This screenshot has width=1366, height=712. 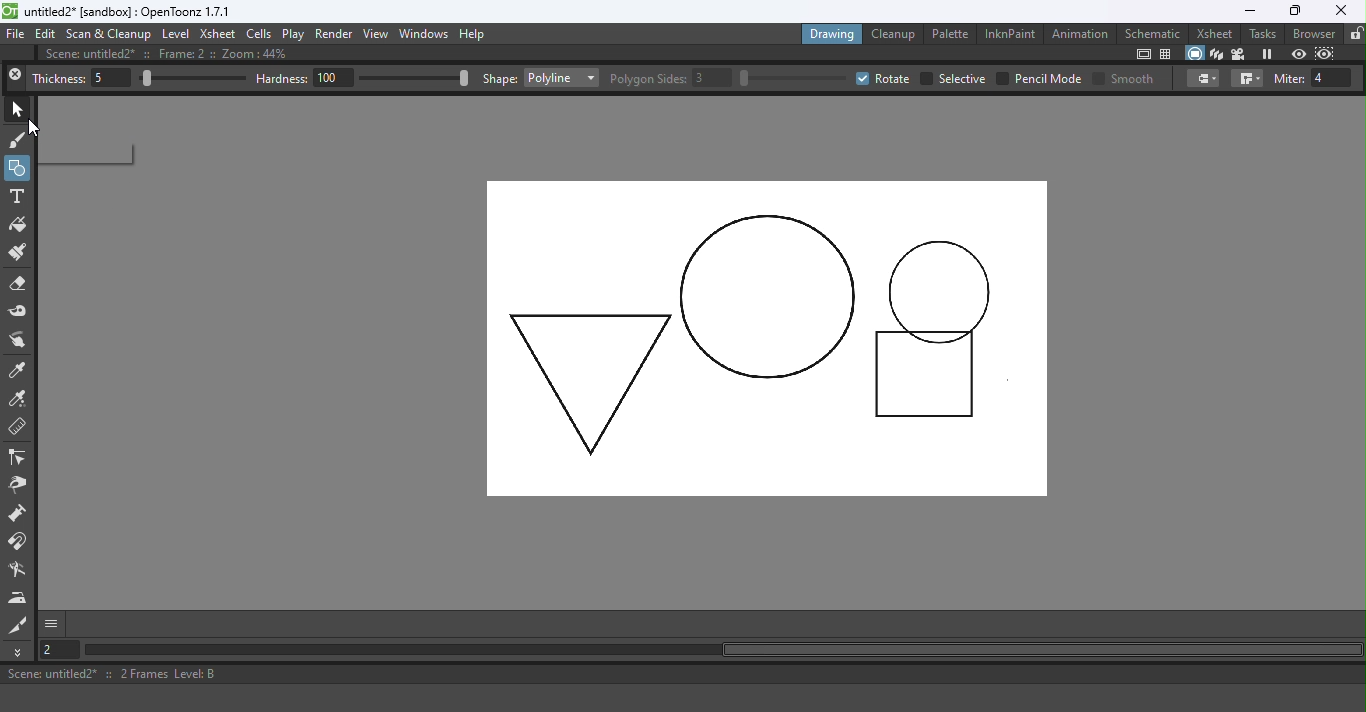 I want to click on Fill tool, so click(x=19, y=225).